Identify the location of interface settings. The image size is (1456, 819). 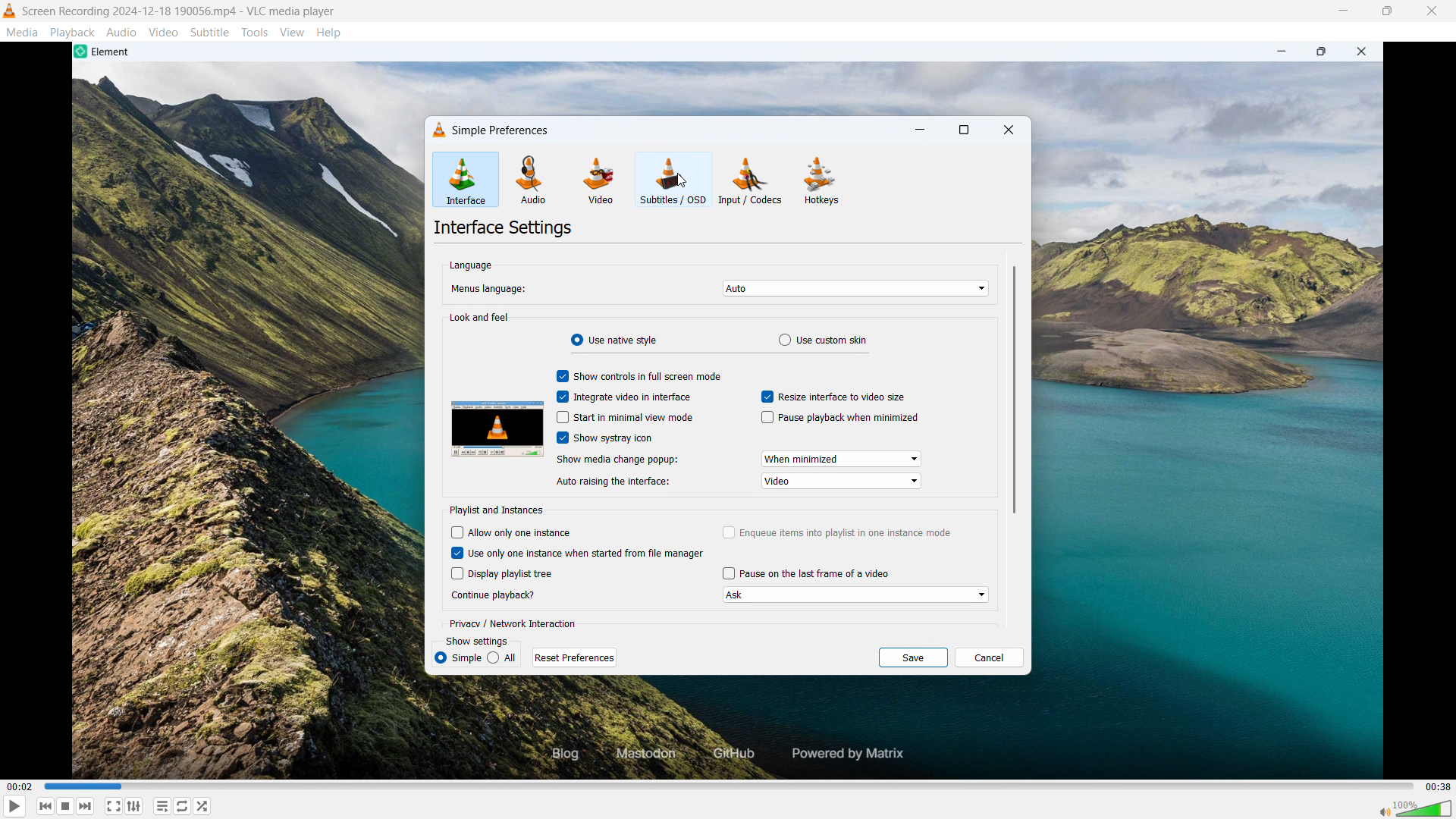
(503, 227).